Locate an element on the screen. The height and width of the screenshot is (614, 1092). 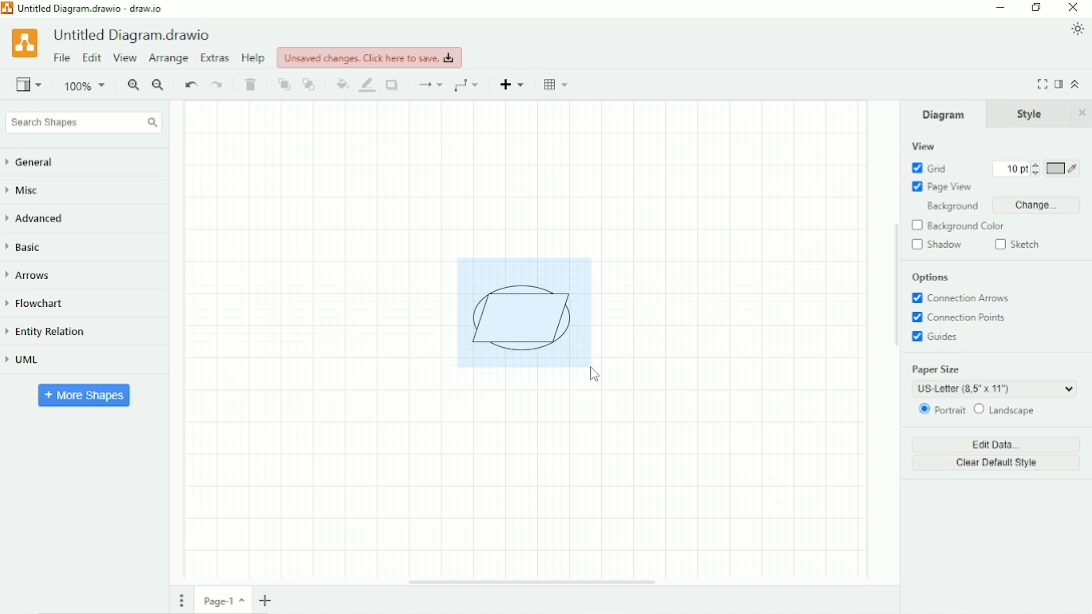
Paper size is located at coordinates (993, 379).